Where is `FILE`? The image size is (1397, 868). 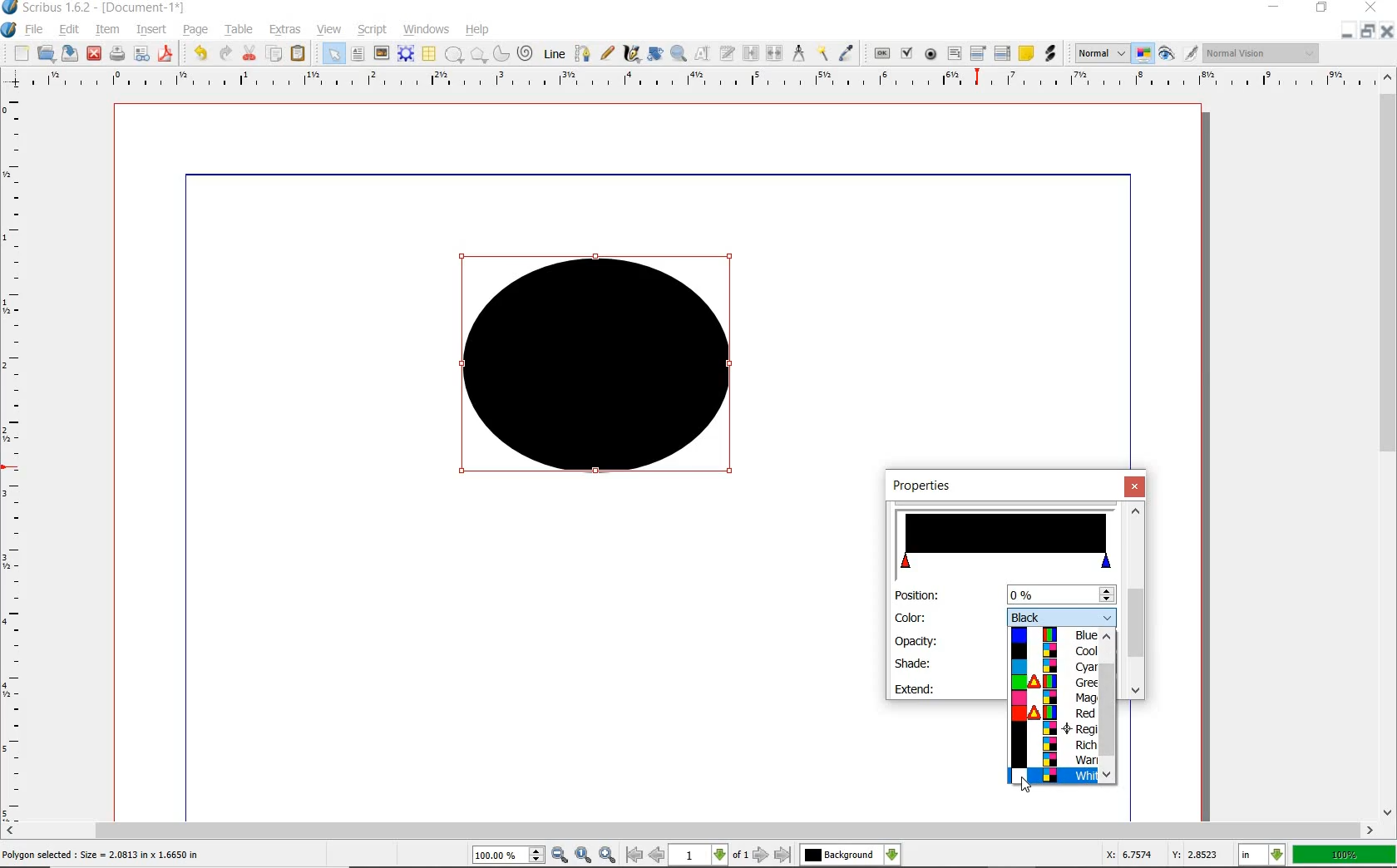
FILE is located at coordinates (36, 29).